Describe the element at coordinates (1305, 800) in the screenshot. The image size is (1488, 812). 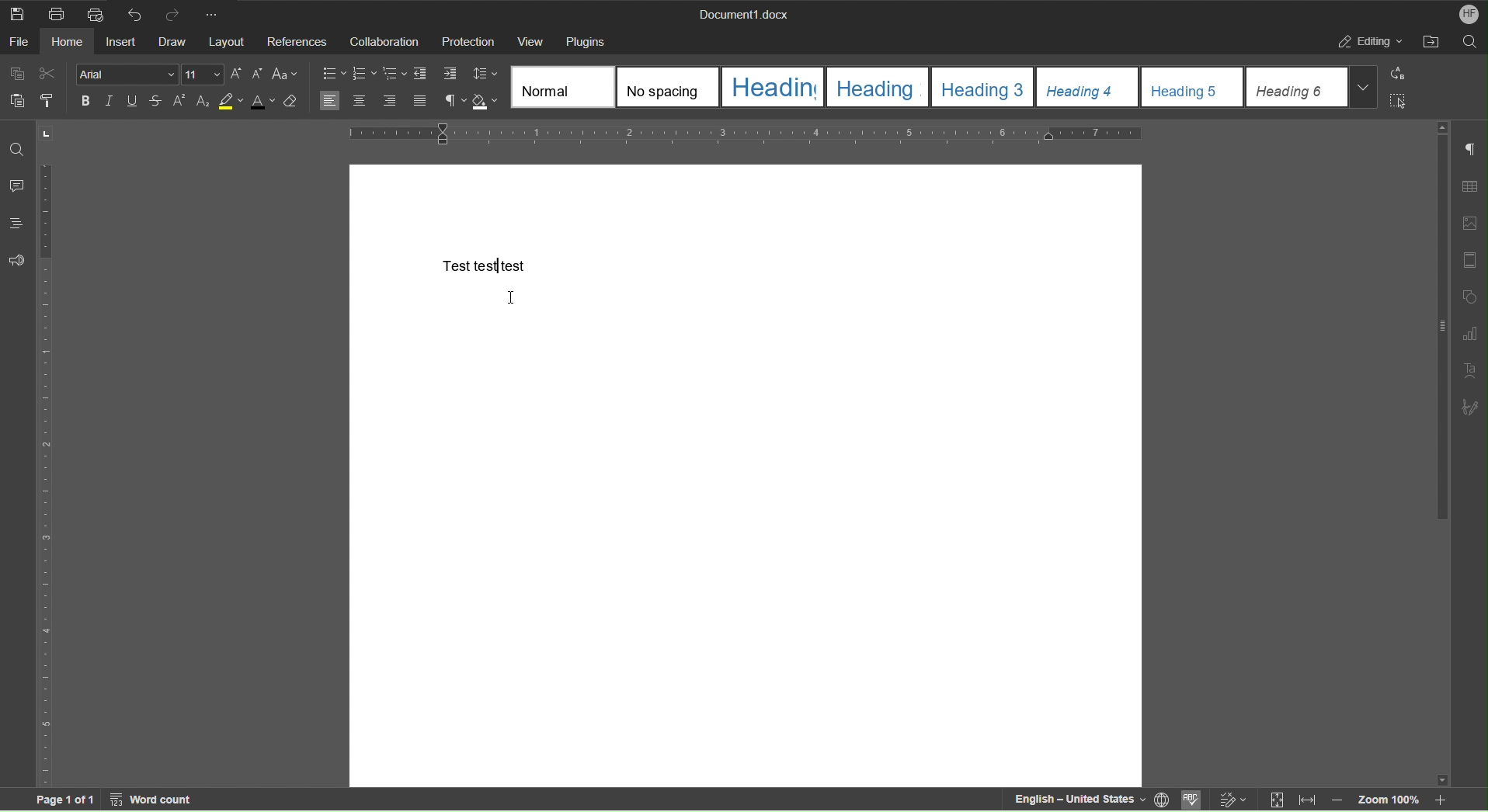
I see `Fit to Width` at that location.